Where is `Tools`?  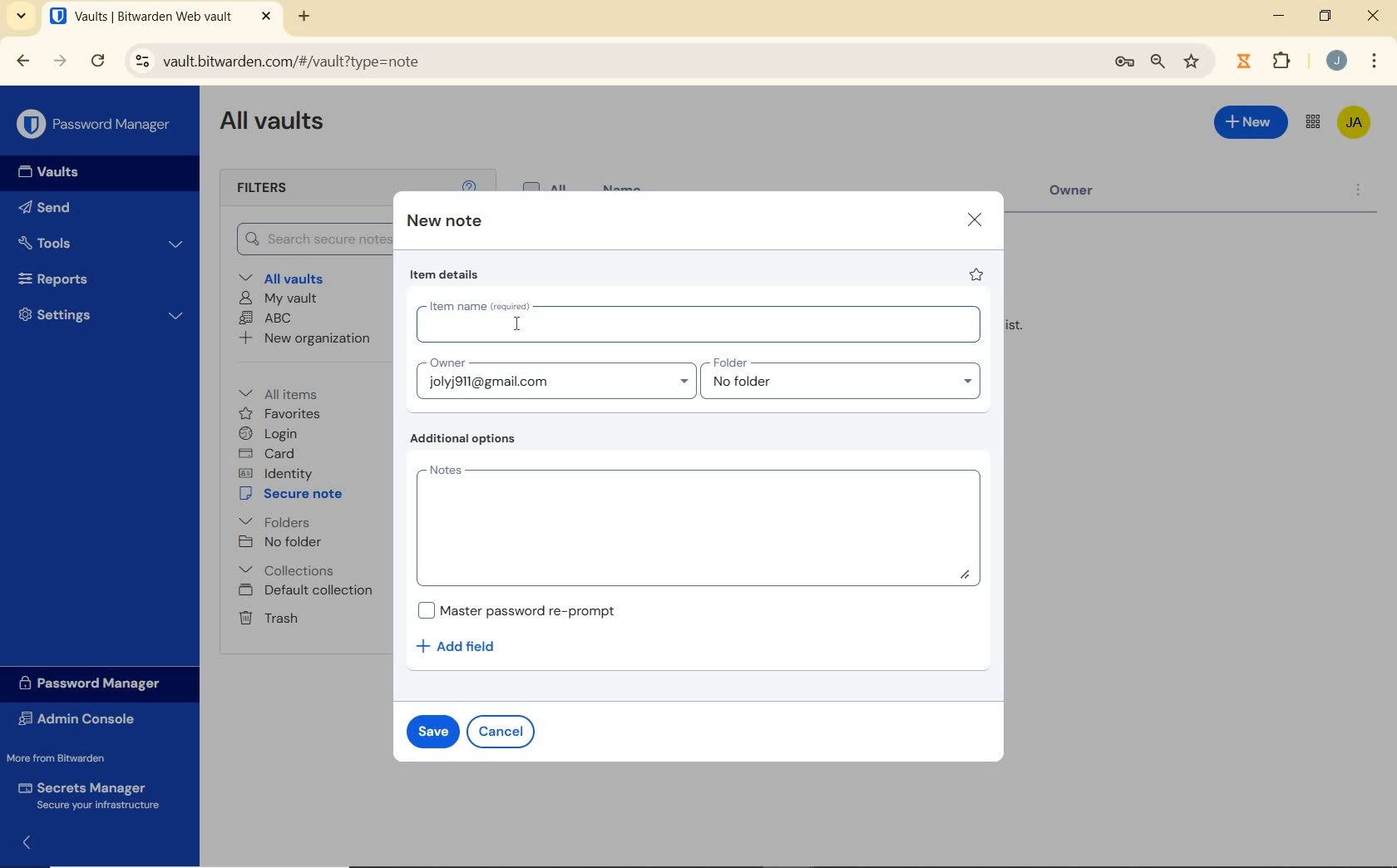 Tools is located at coordinates (102, 242).